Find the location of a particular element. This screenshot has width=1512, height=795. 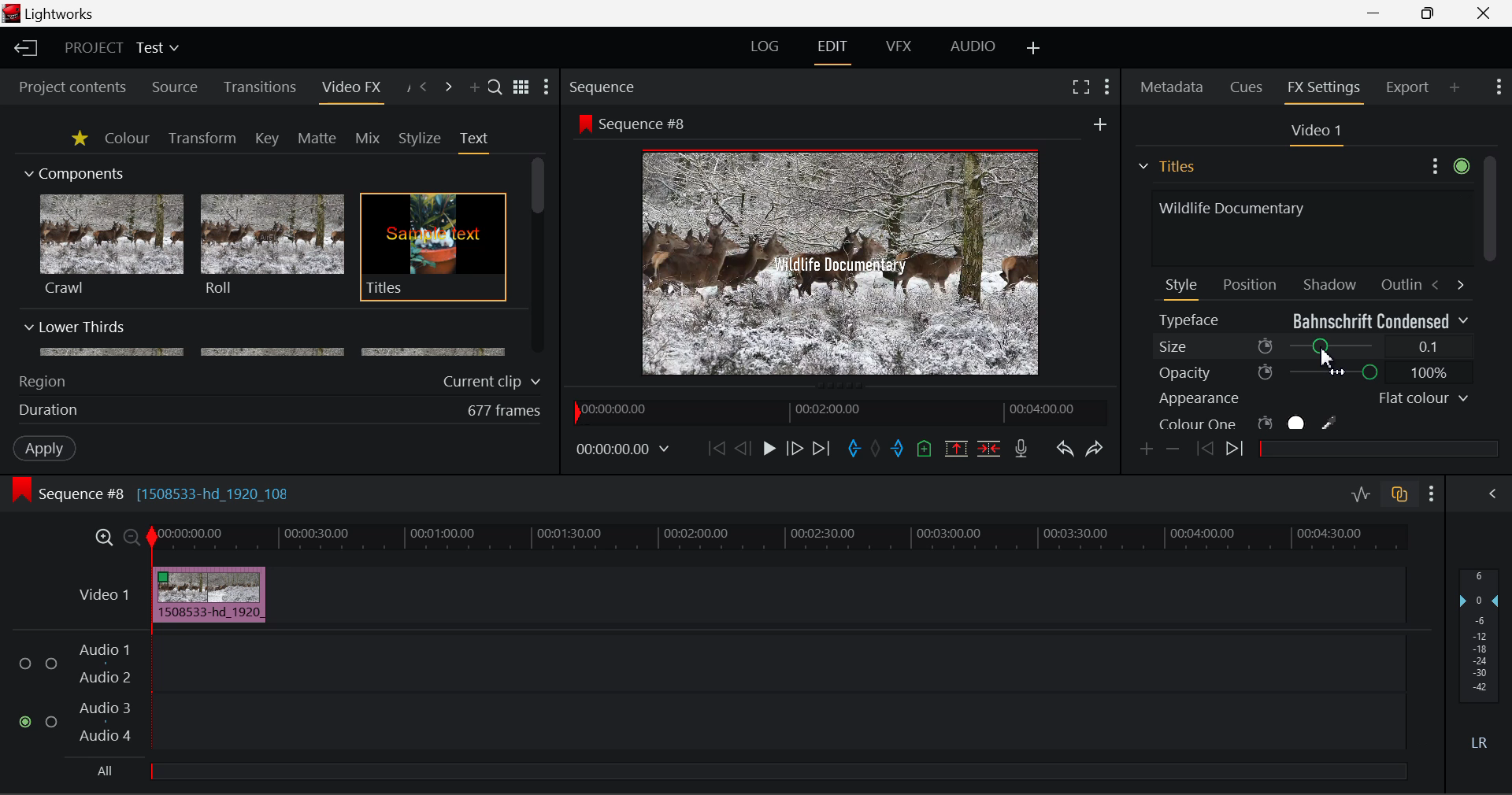

Shadow is located at coordinates (1331, 281).